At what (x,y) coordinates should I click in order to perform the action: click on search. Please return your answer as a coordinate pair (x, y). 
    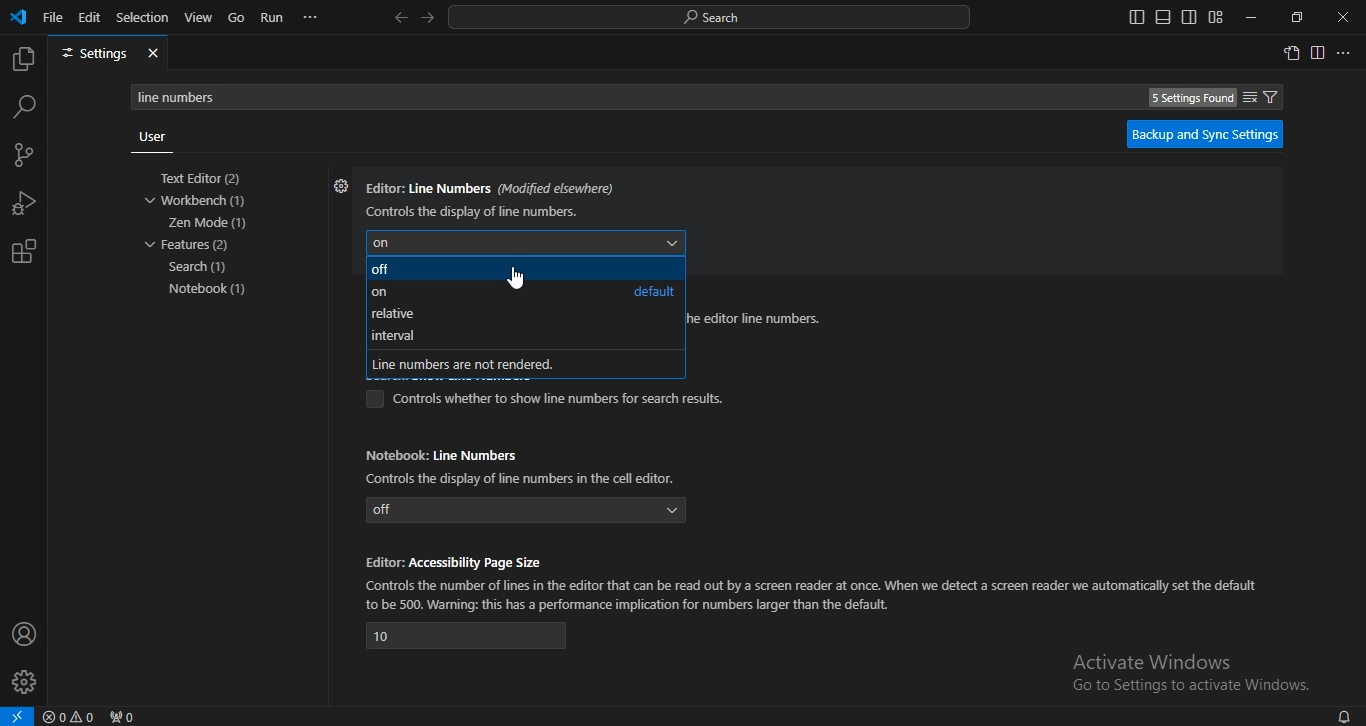
    Looking at the image, I should click on (201, 268).